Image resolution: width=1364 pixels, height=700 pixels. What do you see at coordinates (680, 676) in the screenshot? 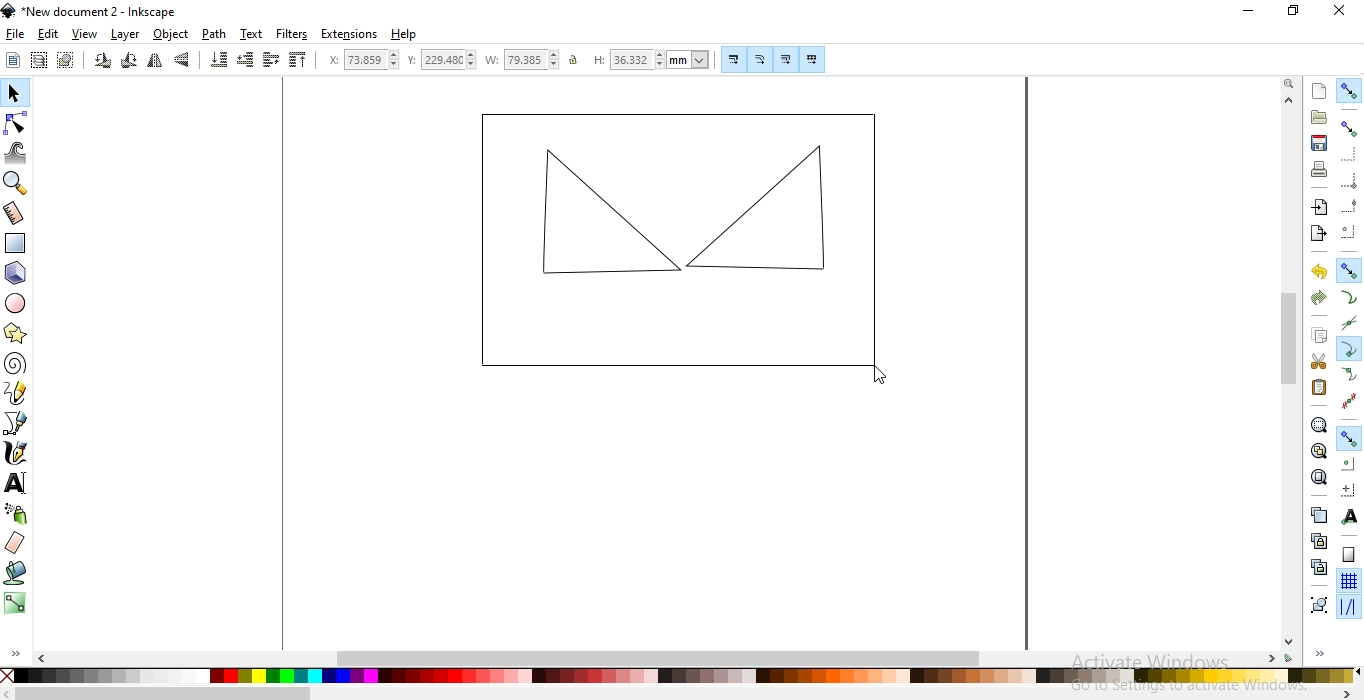
I see `color` at bounding box center [680, 676].